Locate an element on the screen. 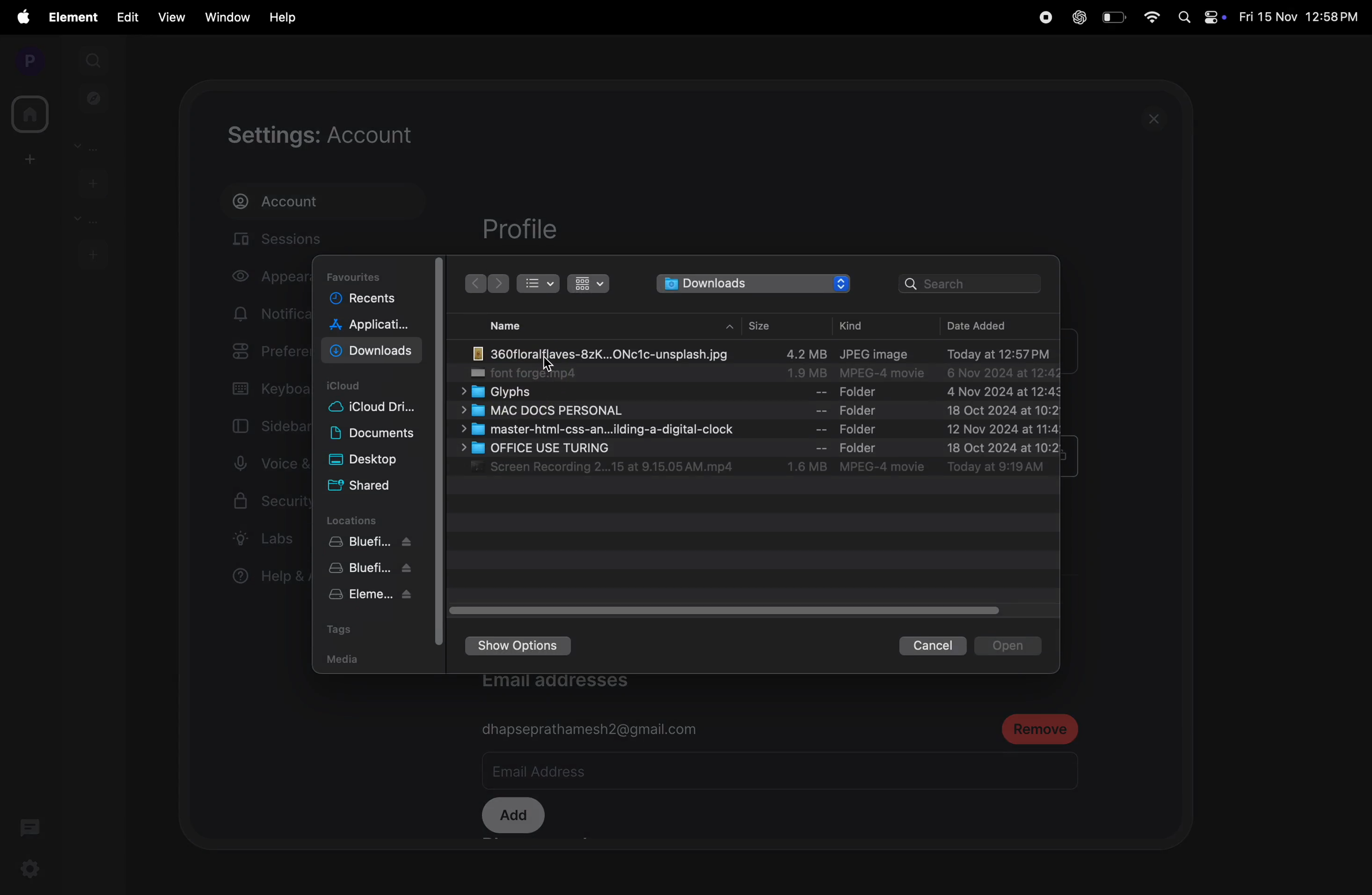  Downloads is located at coordinates (374, 351).